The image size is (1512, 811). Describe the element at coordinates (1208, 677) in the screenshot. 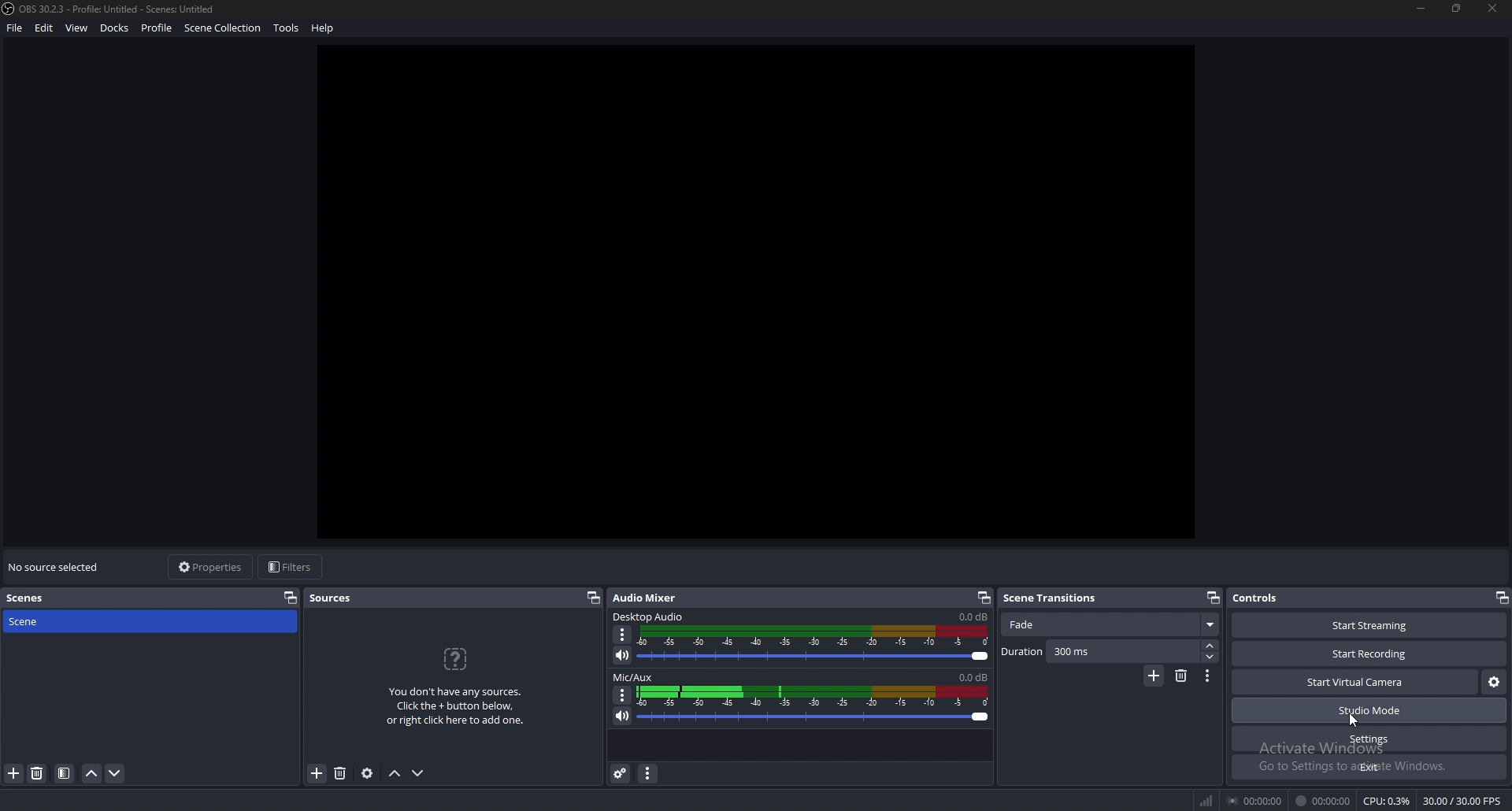

I see `Options` at that location.